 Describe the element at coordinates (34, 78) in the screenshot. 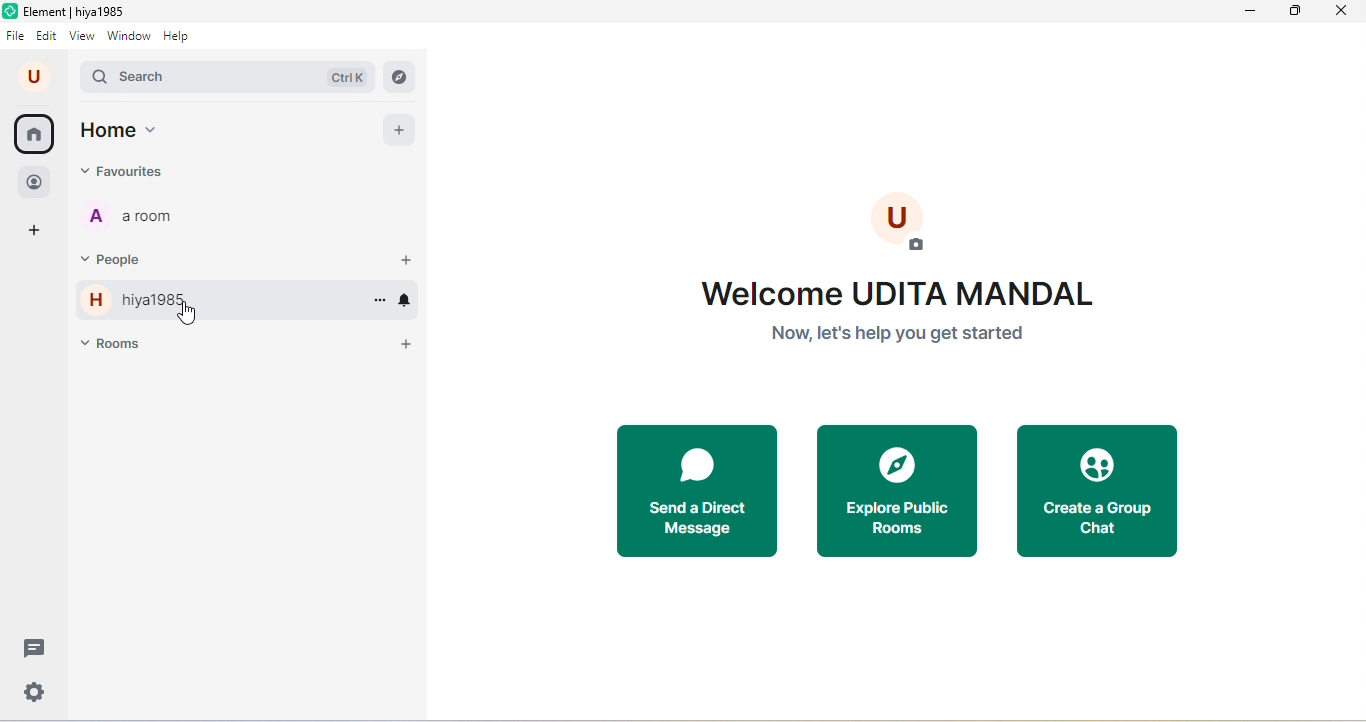

I see `account` at that location.